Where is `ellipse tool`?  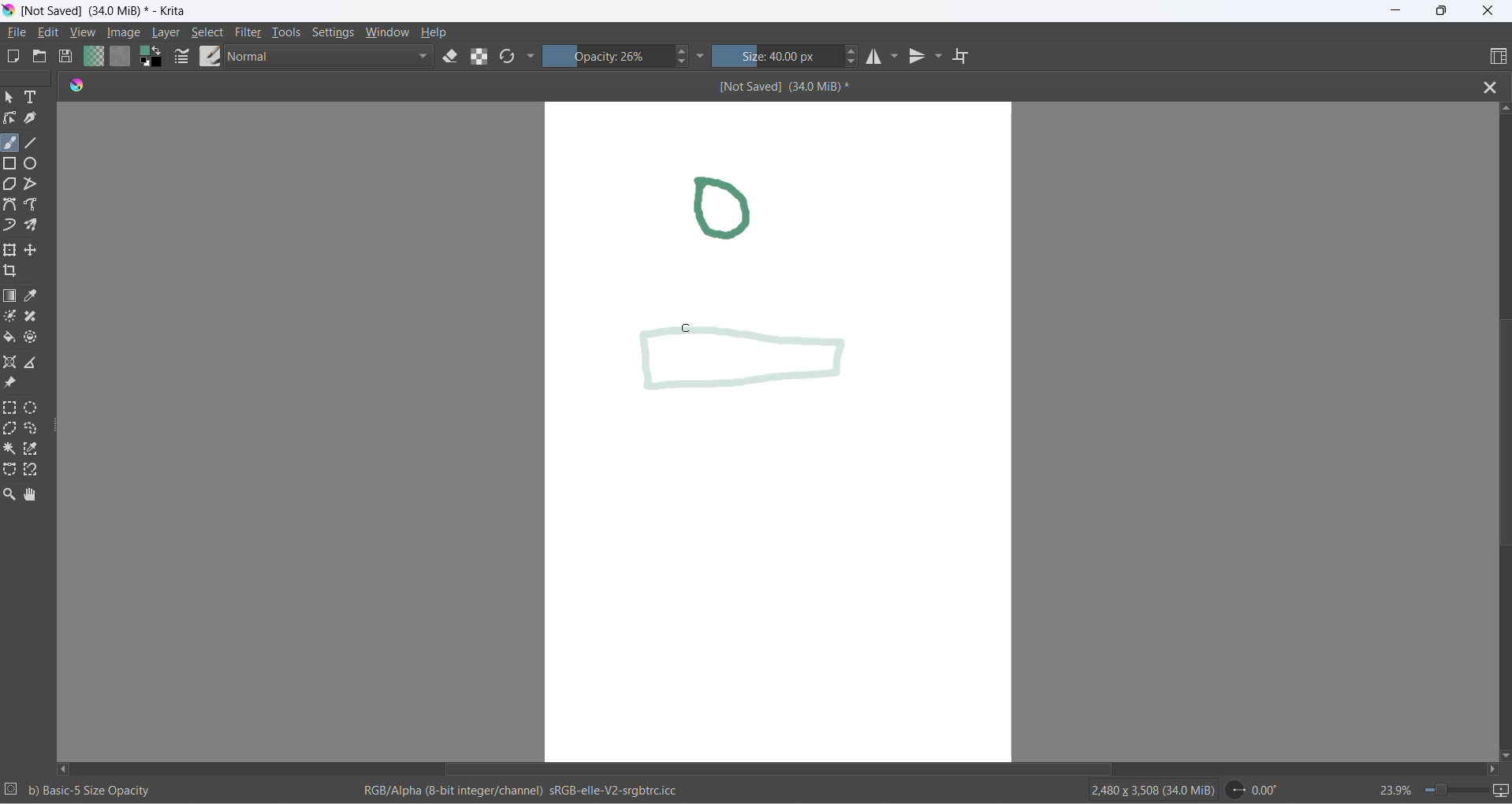 ellipse tool is located at coordinates (39, 164).